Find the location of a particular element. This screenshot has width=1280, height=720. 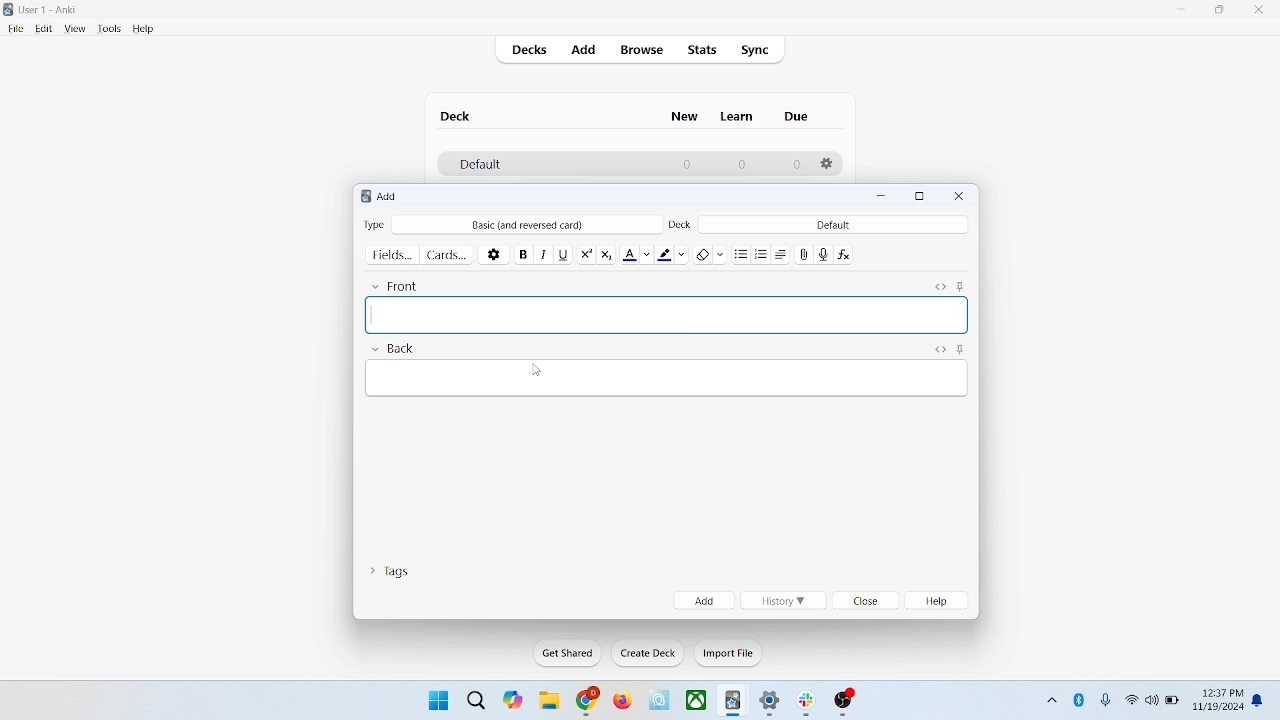

User-1 Anki is located at coordinates (52, 11).